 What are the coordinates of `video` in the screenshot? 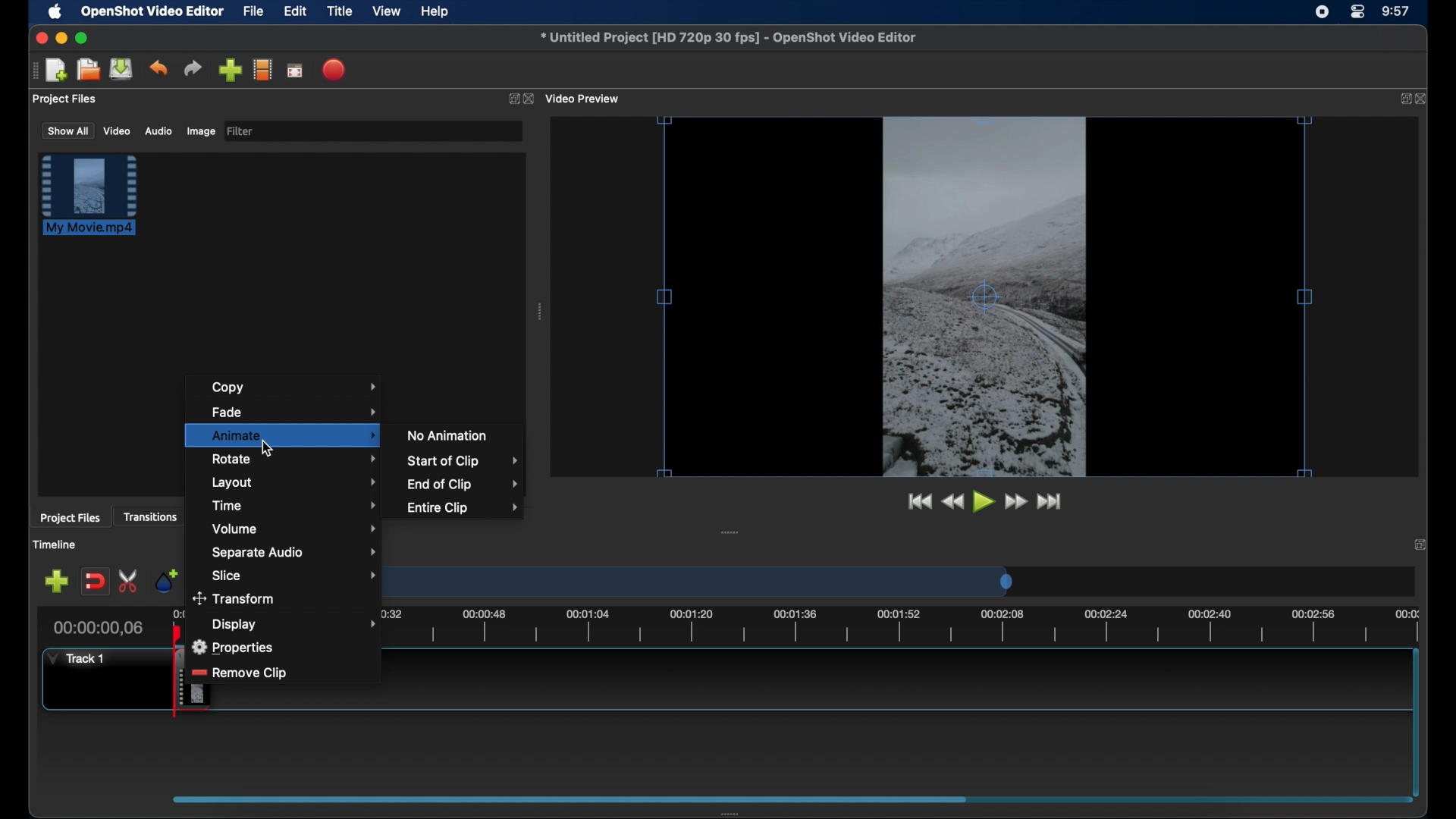 It's located at (118, 130).